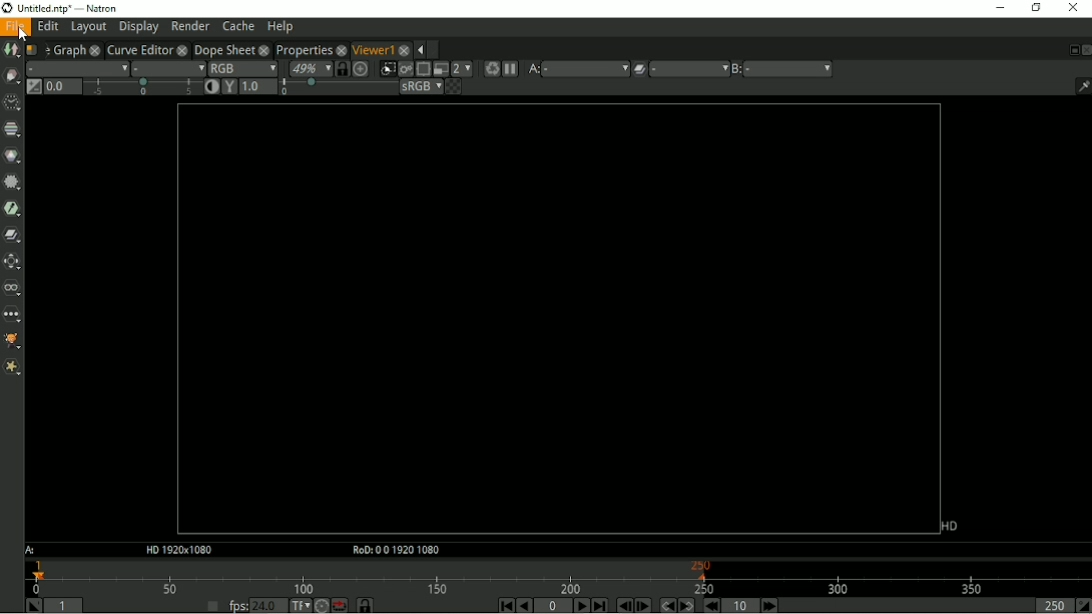 The width and height of the screenshot is (1092, 614). Describe the element at coordinates (623, 605) in the screenshot. I see `Previous frame` at that location.